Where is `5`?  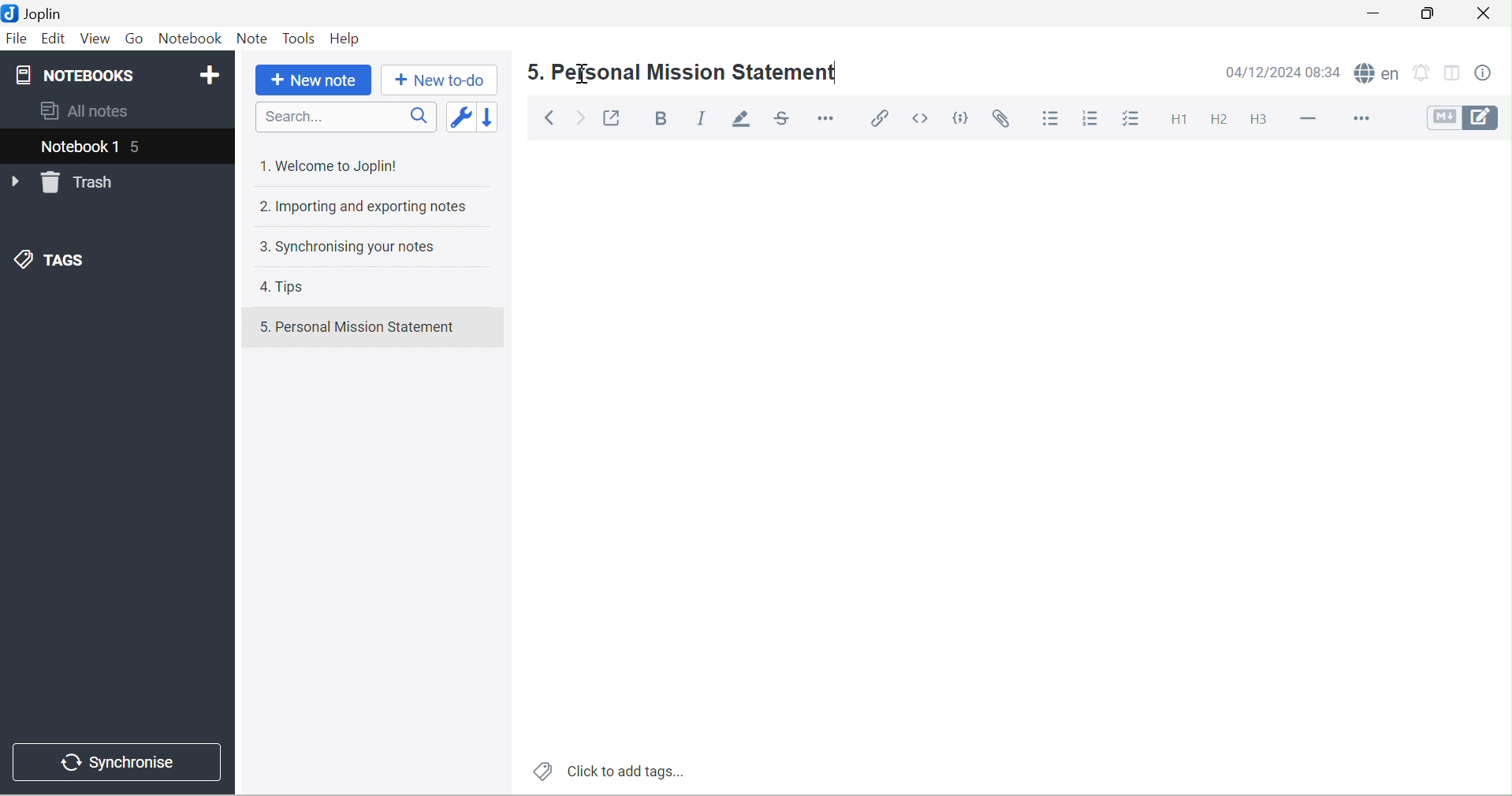
5 is located at coordinates (137, 148).